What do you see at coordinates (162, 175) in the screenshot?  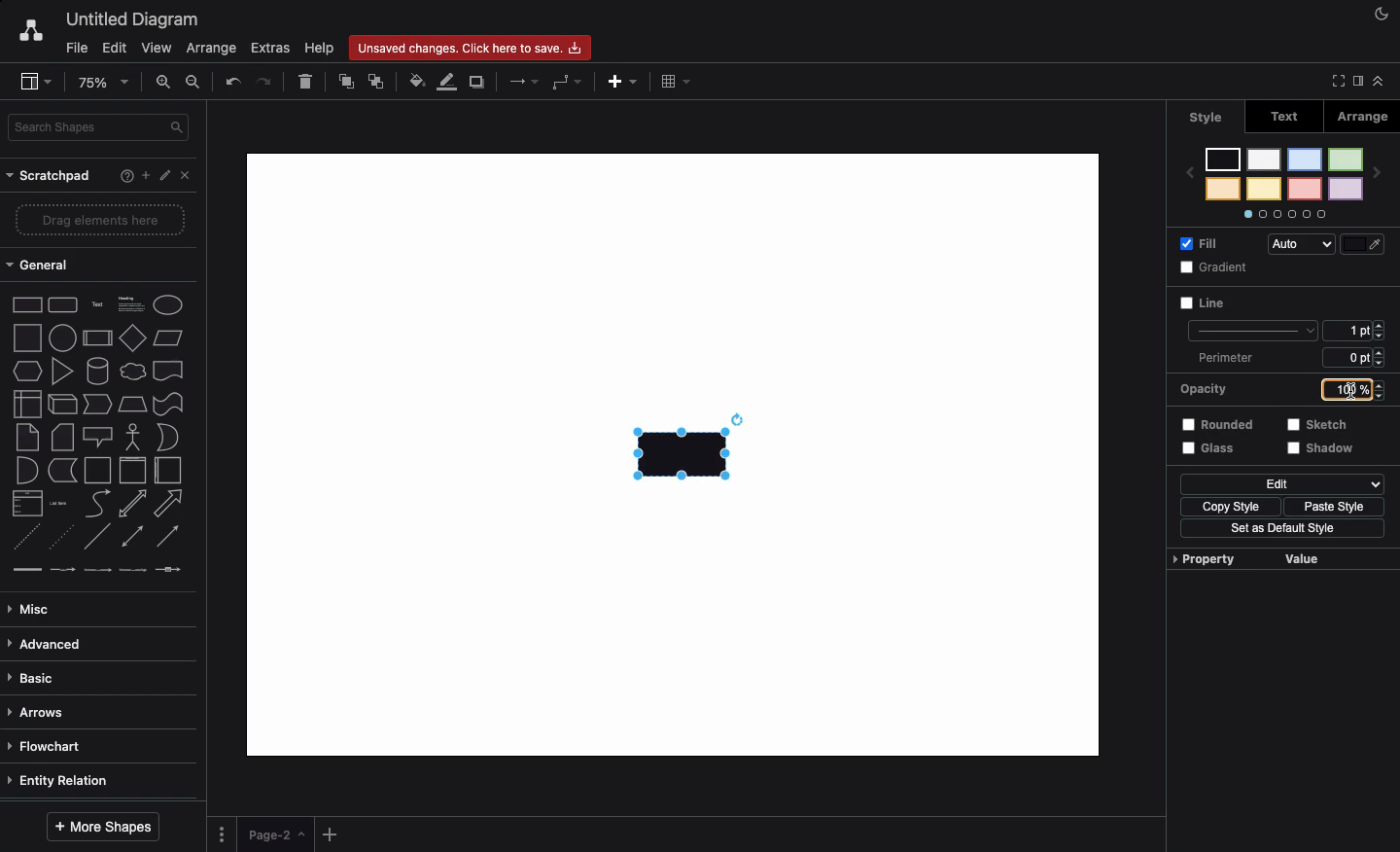 I see `Edit` at bounding box center [162, 175].